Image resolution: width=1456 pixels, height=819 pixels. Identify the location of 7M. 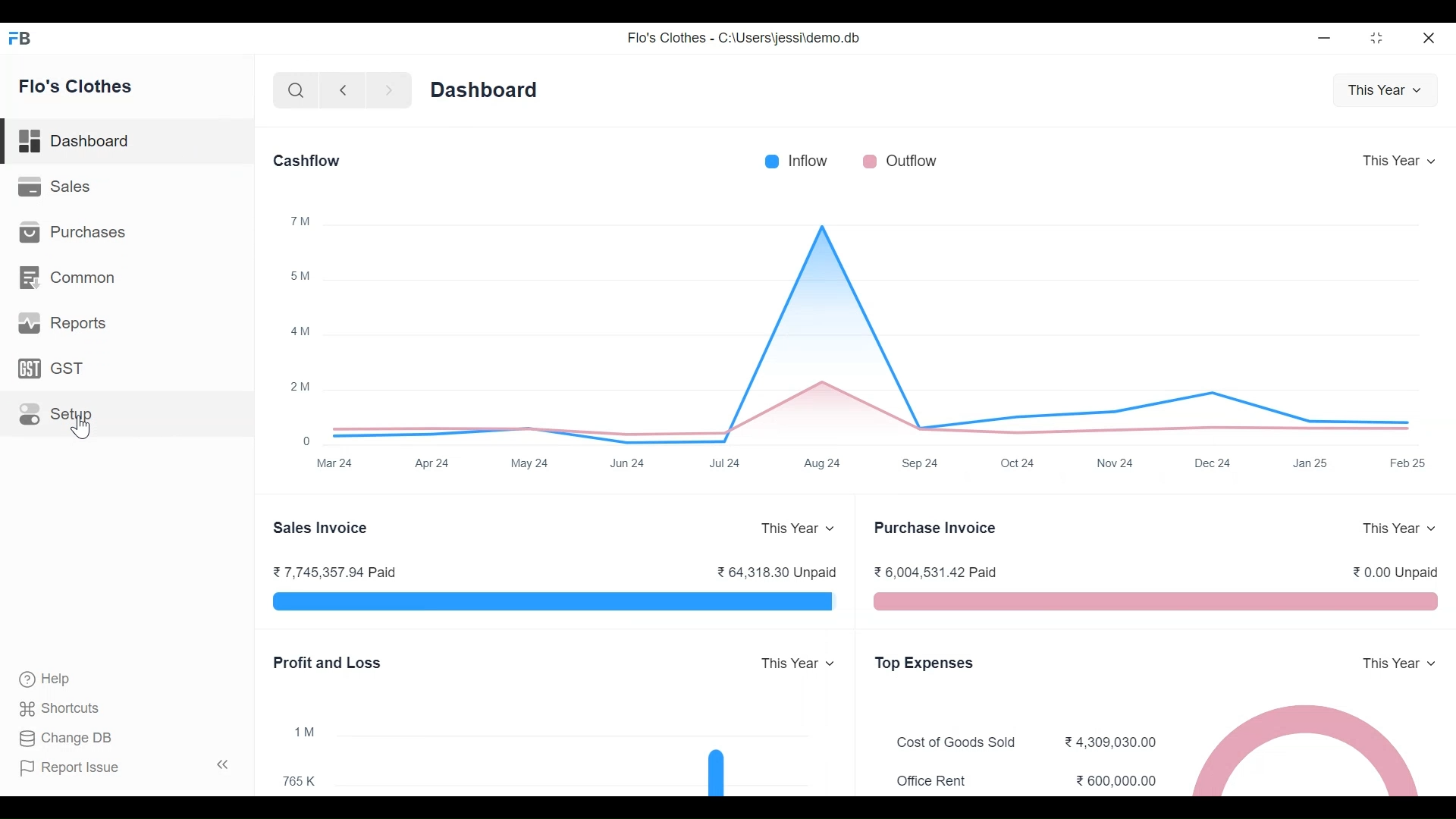
(300, 221).